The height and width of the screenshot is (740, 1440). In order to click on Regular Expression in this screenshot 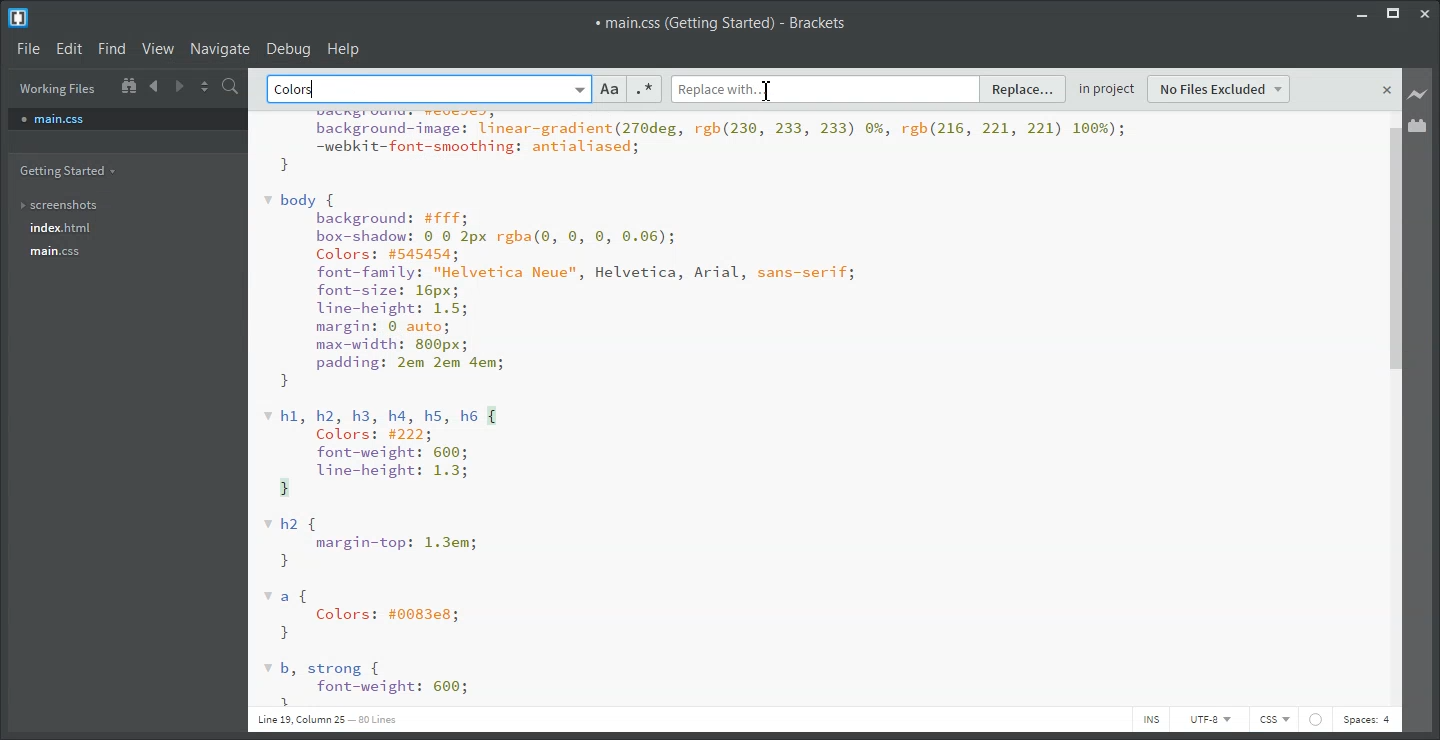, I will do `click(644, 89)`.